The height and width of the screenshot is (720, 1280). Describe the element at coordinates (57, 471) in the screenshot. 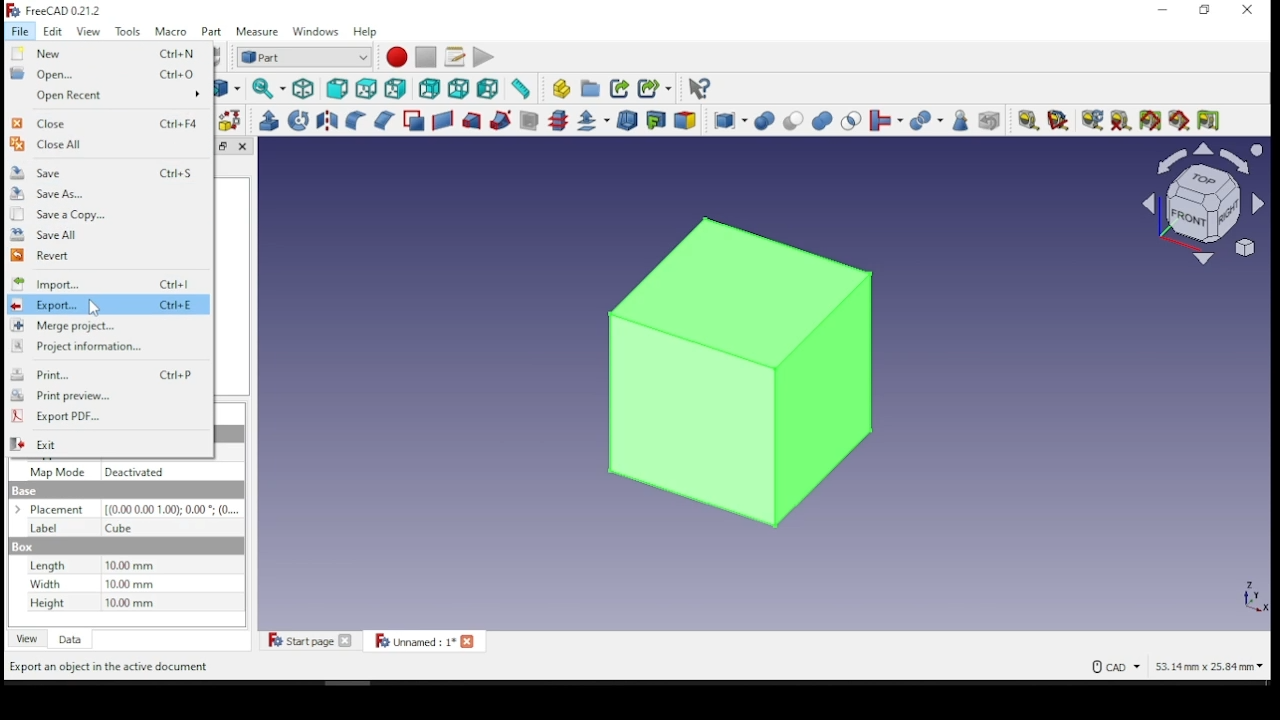

I see `Map Mode` at that location.